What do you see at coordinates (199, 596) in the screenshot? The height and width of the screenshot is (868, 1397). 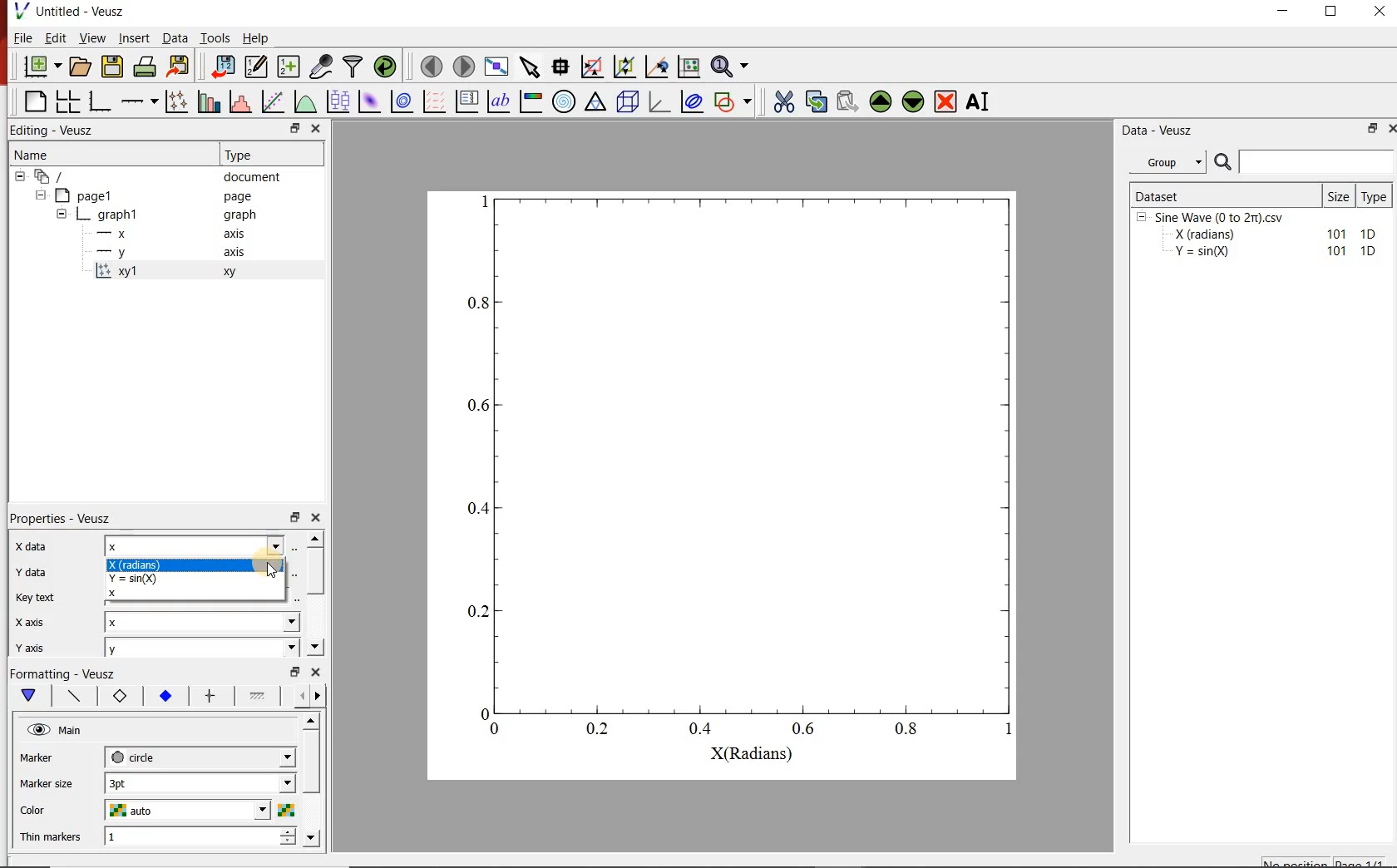 I see `Auto` at bounding box center [199, 596].